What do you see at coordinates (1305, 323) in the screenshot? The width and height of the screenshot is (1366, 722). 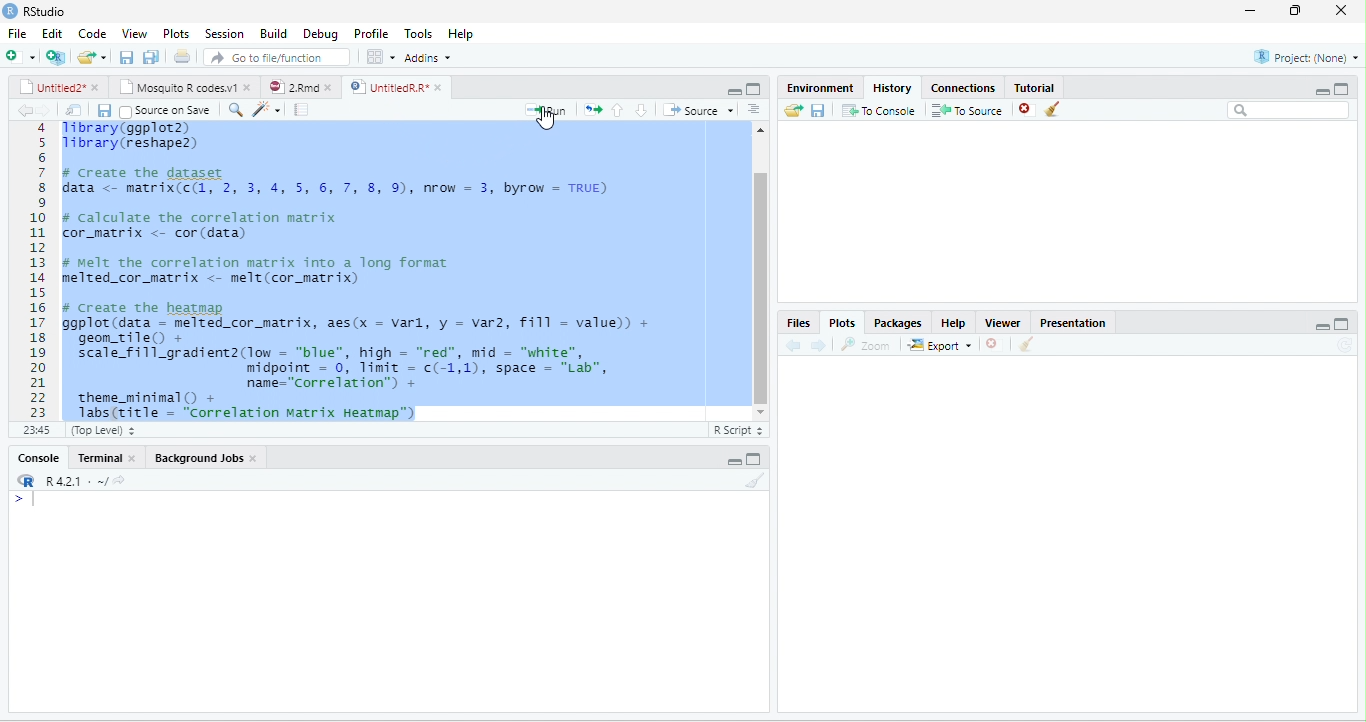 I see `` at bounding box center [1305, 323].